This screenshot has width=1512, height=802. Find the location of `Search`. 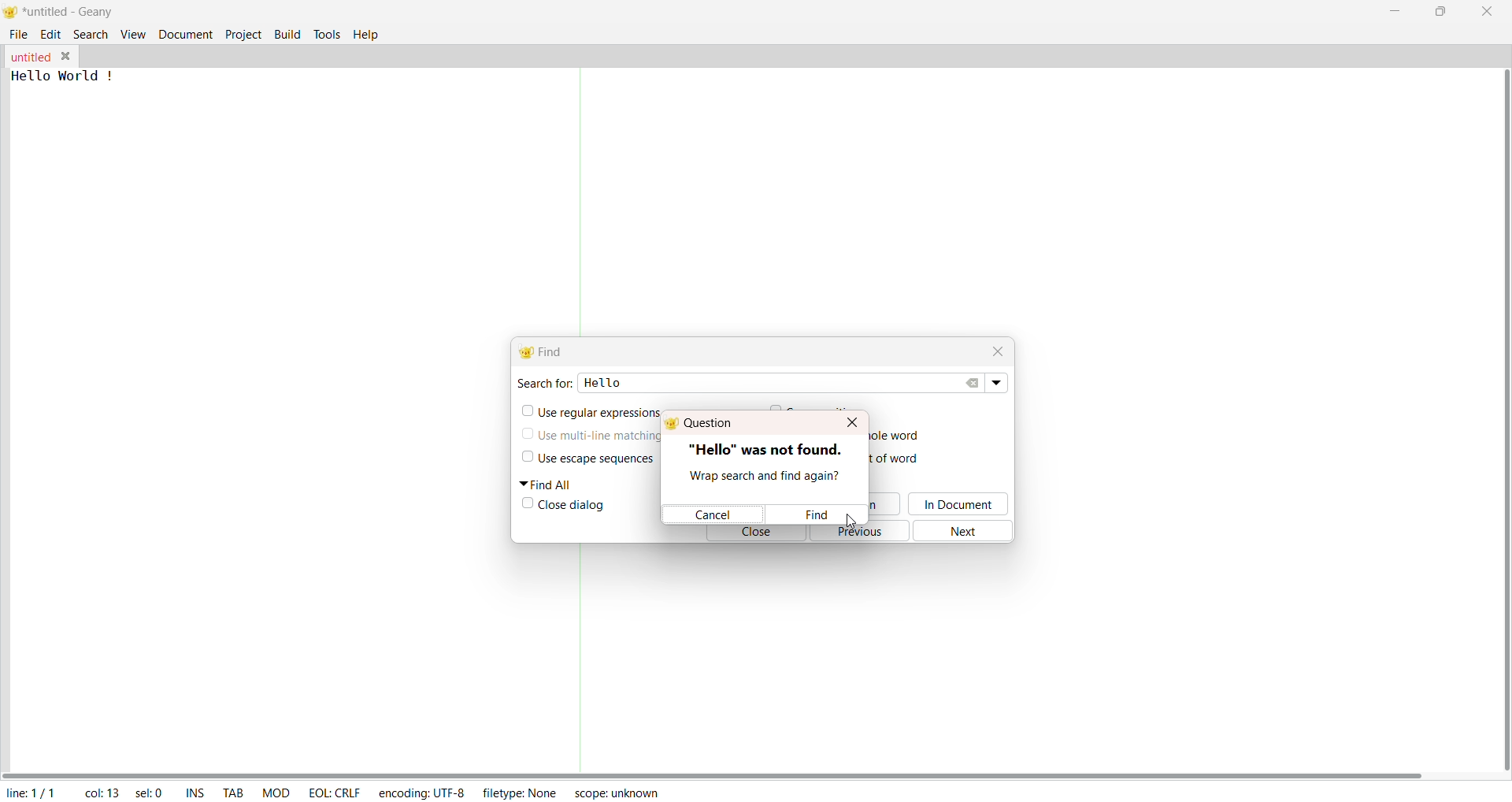

Search is located at coordinates (90, 34).